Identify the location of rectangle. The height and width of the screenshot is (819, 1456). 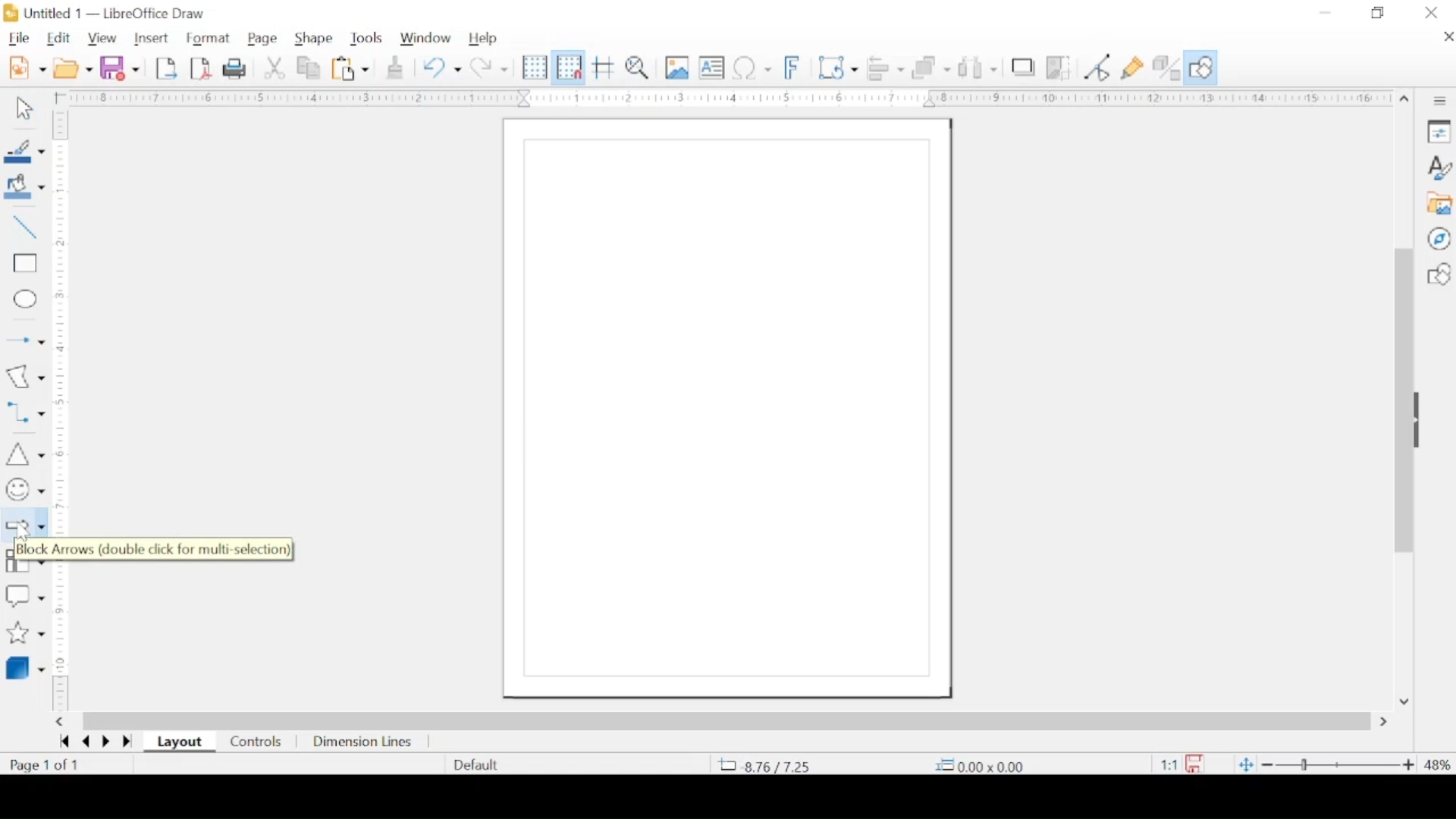
(25, 264).